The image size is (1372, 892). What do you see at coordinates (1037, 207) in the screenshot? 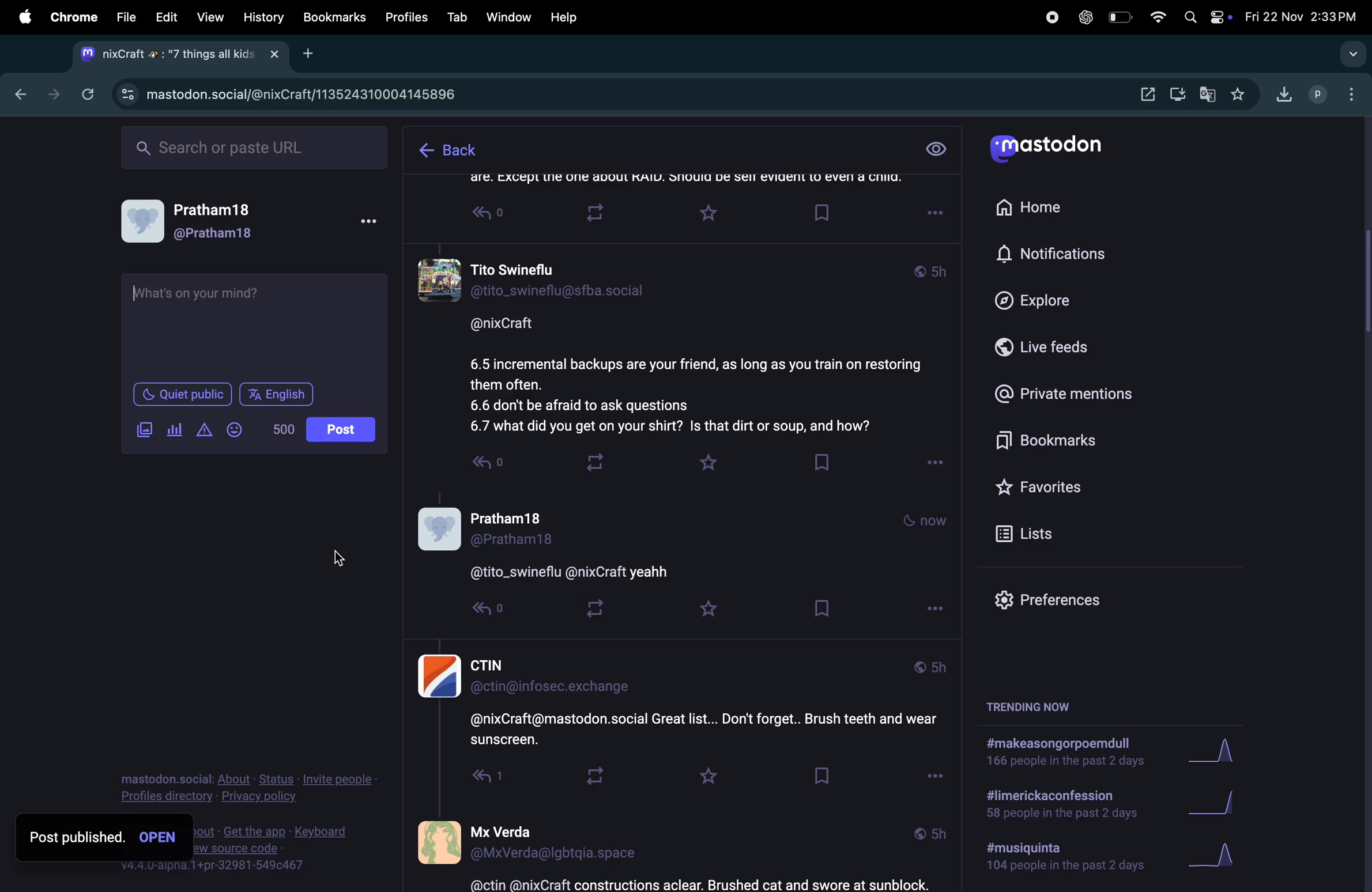
I see `home` at bounding box center [1037, 207].